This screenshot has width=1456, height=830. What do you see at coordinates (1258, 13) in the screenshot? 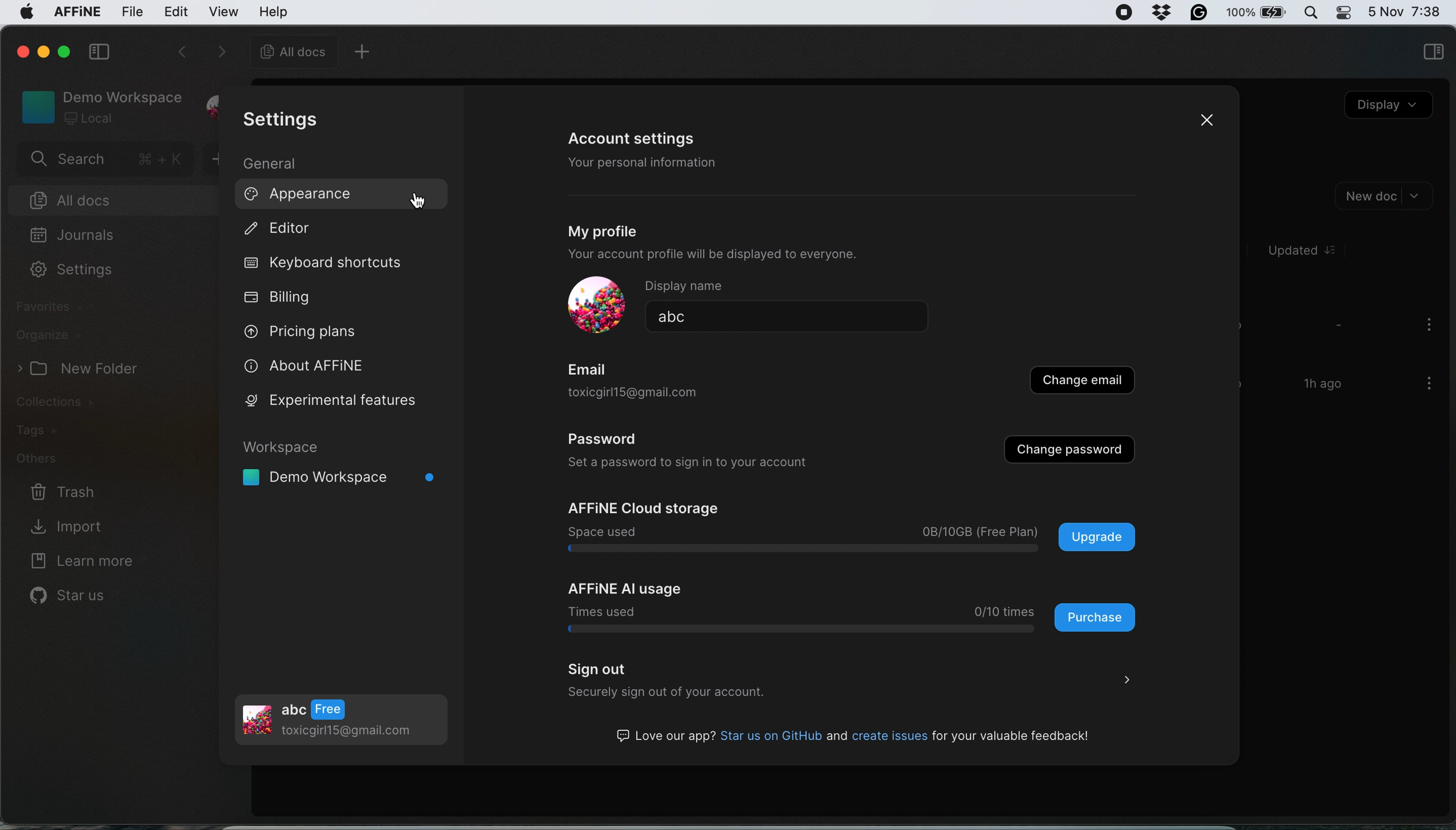
I see `battery` at bounding box center [1258, 13].